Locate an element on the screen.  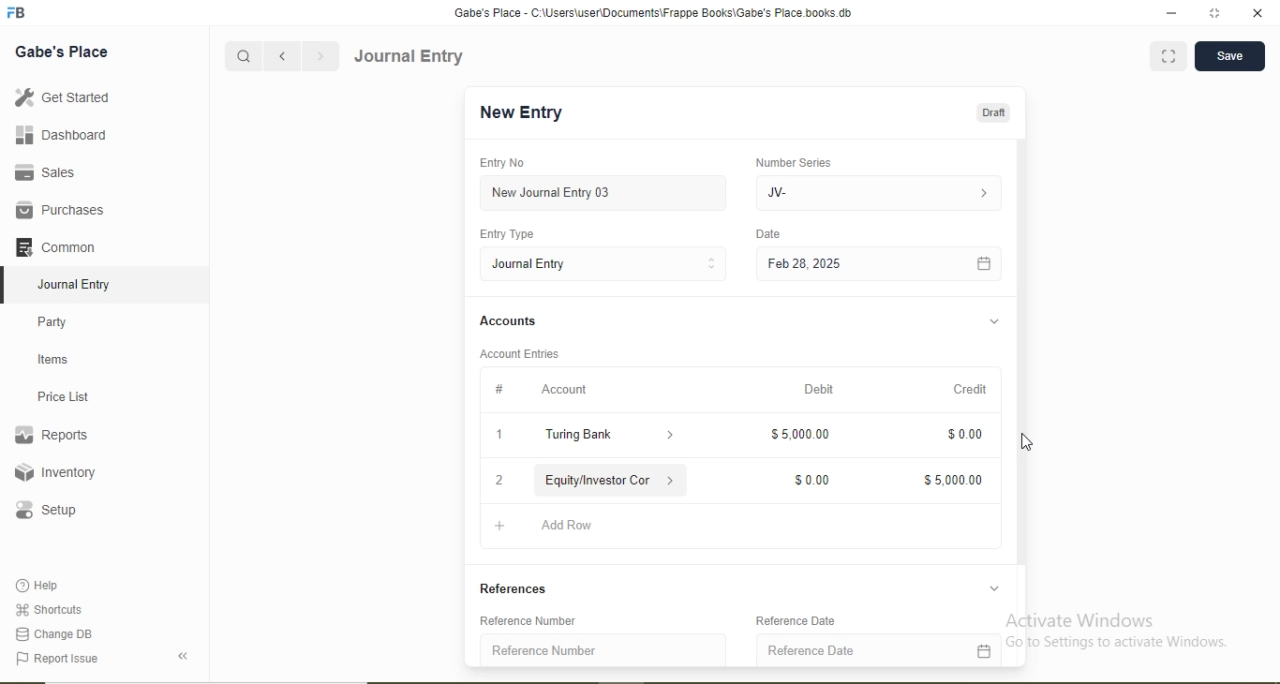
Scroll bar is located at coordinates (1021, 386).